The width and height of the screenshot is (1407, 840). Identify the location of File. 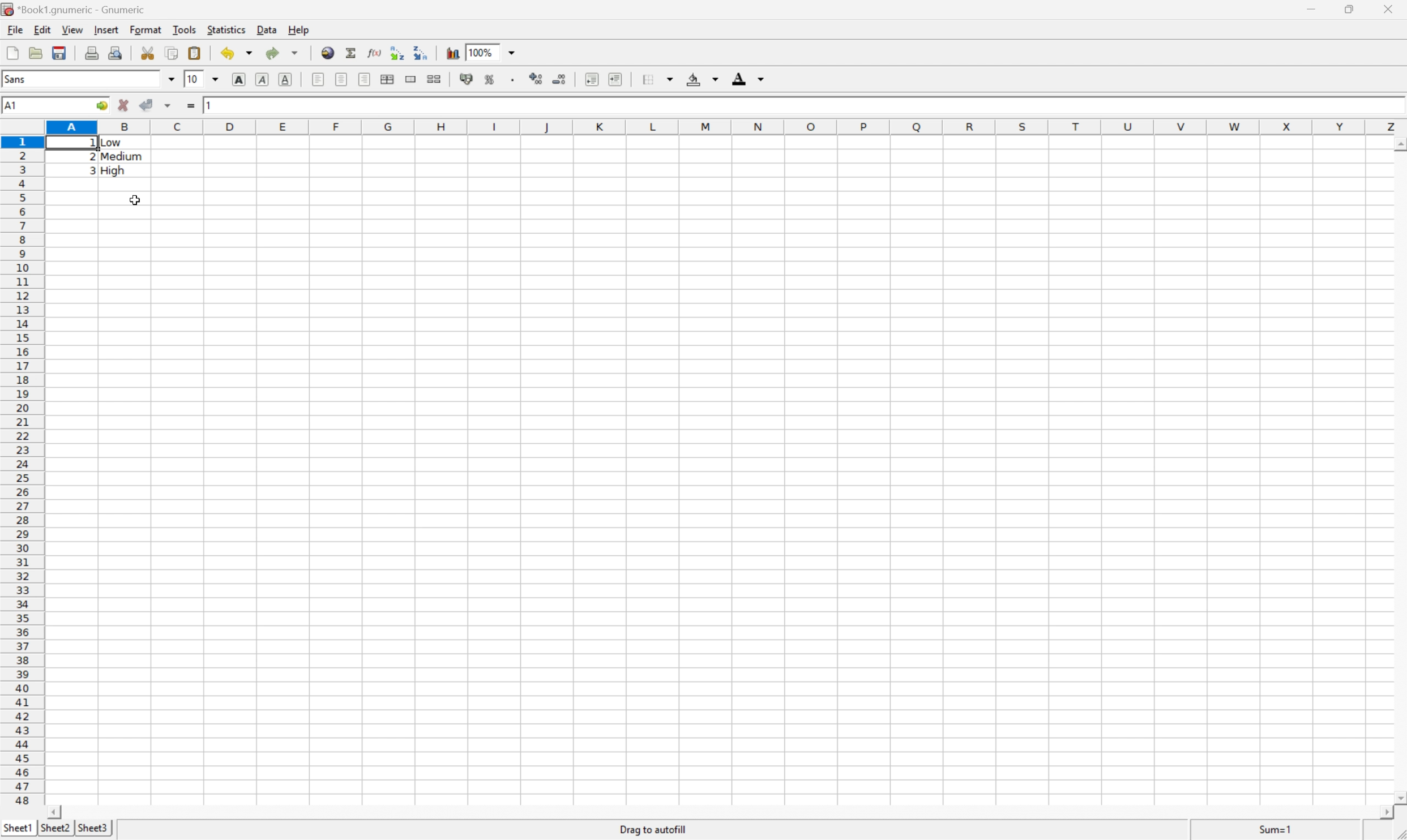
(14, 30).